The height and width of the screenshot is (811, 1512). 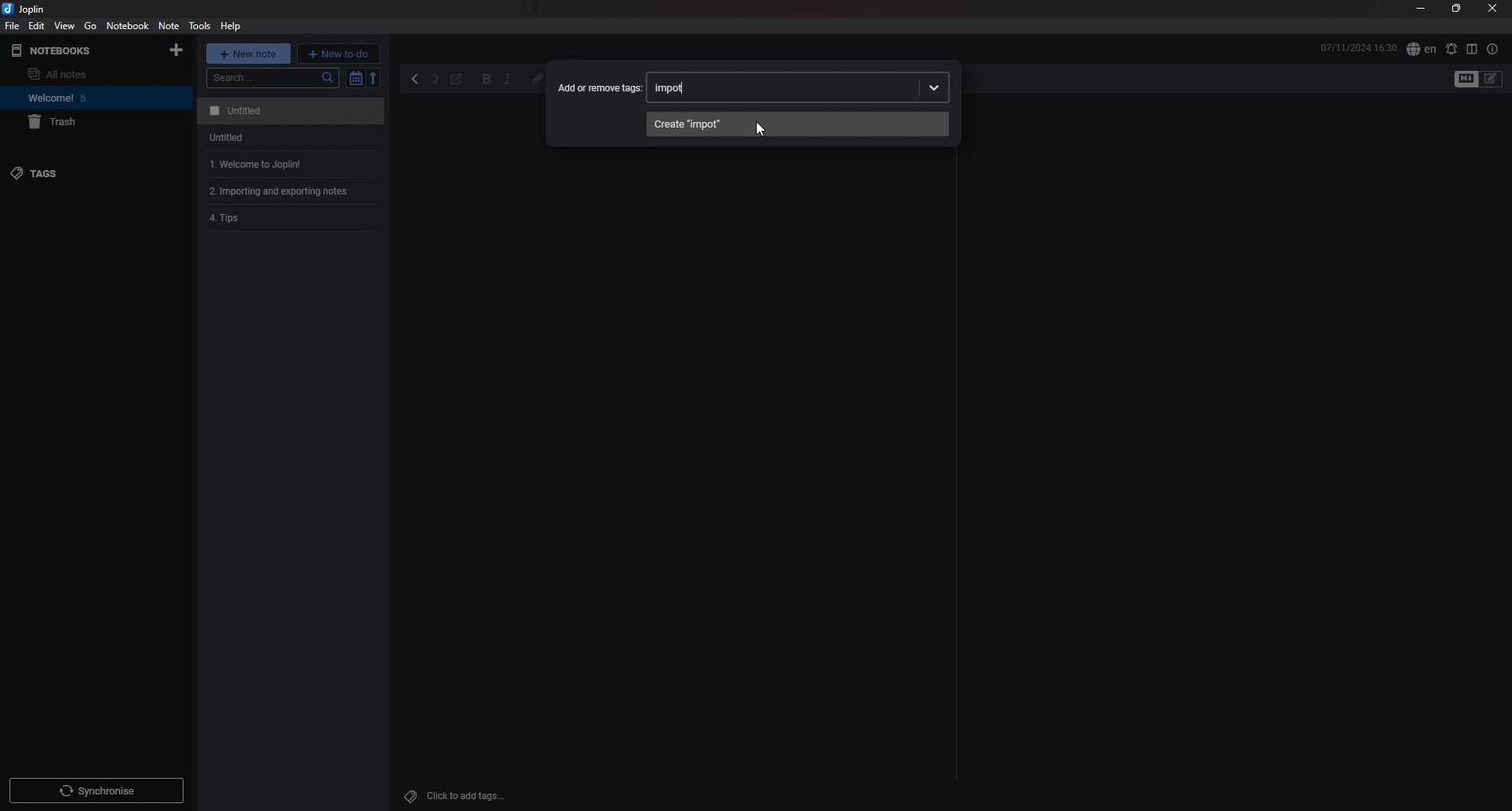 What do you see at coordinates (417, 80) in the screenshot?
I see `back` at bounding box center [417, 80].